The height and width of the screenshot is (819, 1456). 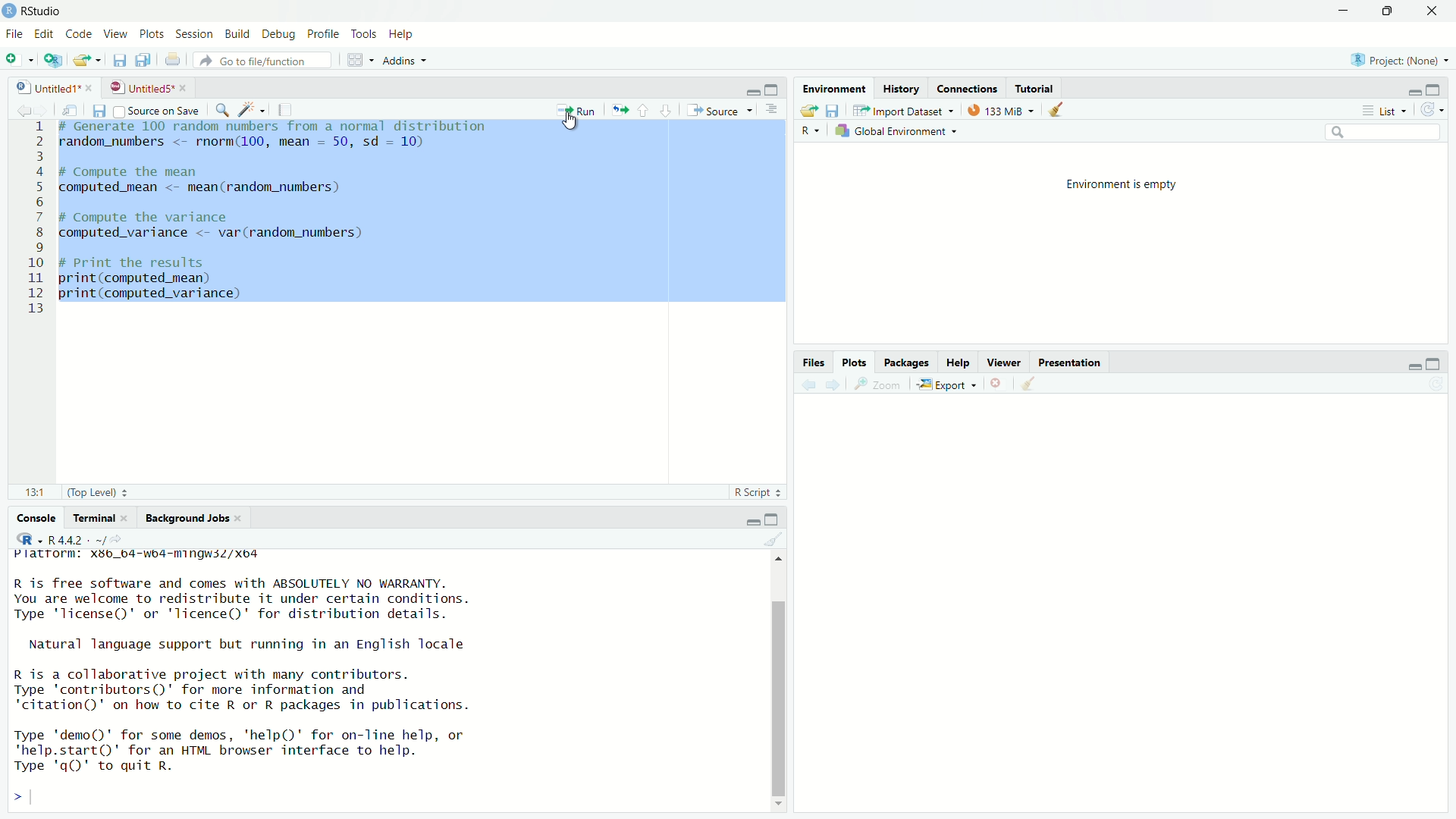 What do you see at coordinates (277, 127) in the screenshot?
I see `# generate 100 random numbers from a normal distribution` at bounding box center [277, 127].